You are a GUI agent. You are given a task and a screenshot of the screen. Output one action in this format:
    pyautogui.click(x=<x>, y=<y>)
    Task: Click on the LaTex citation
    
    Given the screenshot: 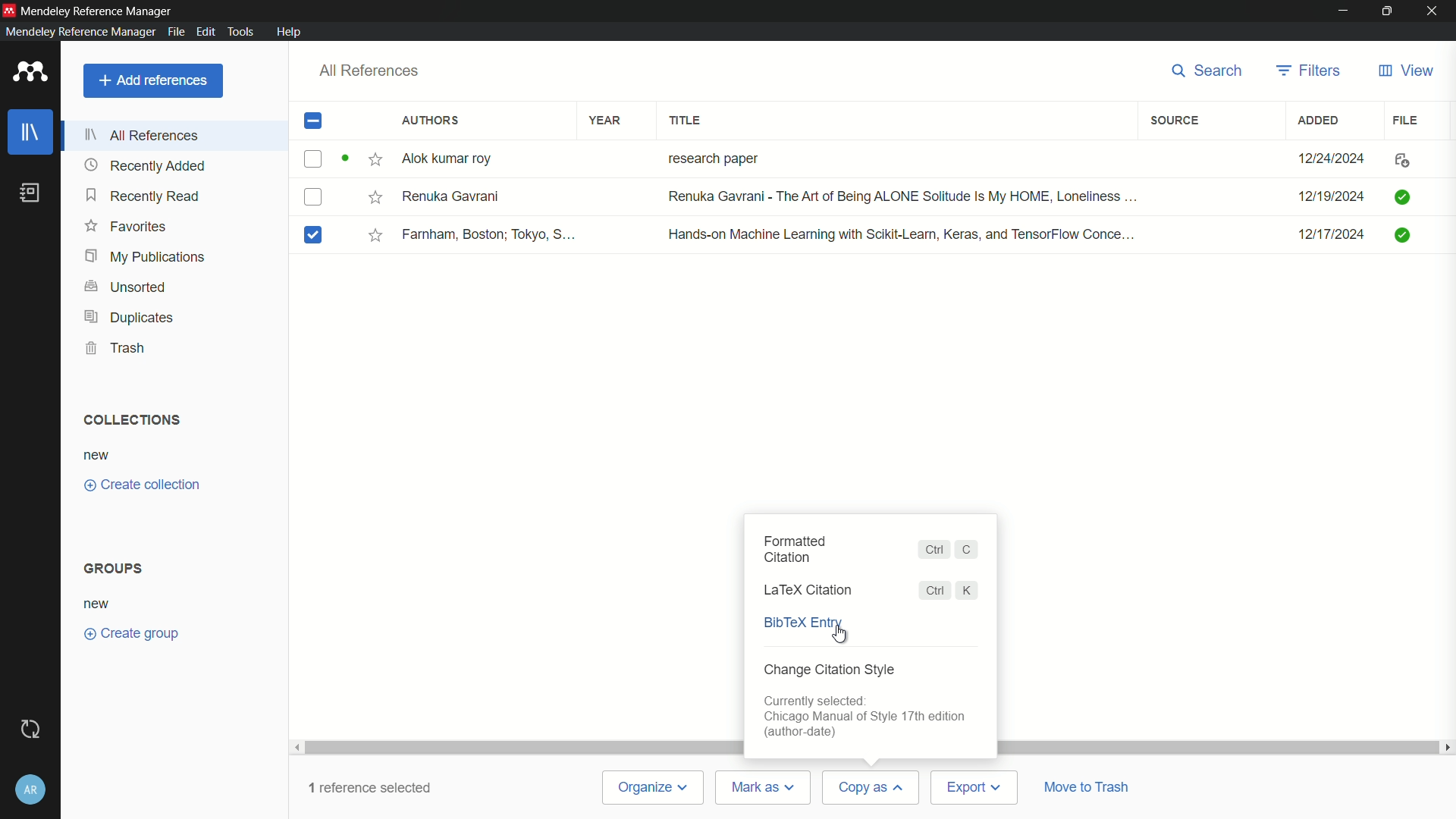 What is the action you would take?
    pyautogui.click(x=811, y=589)
    